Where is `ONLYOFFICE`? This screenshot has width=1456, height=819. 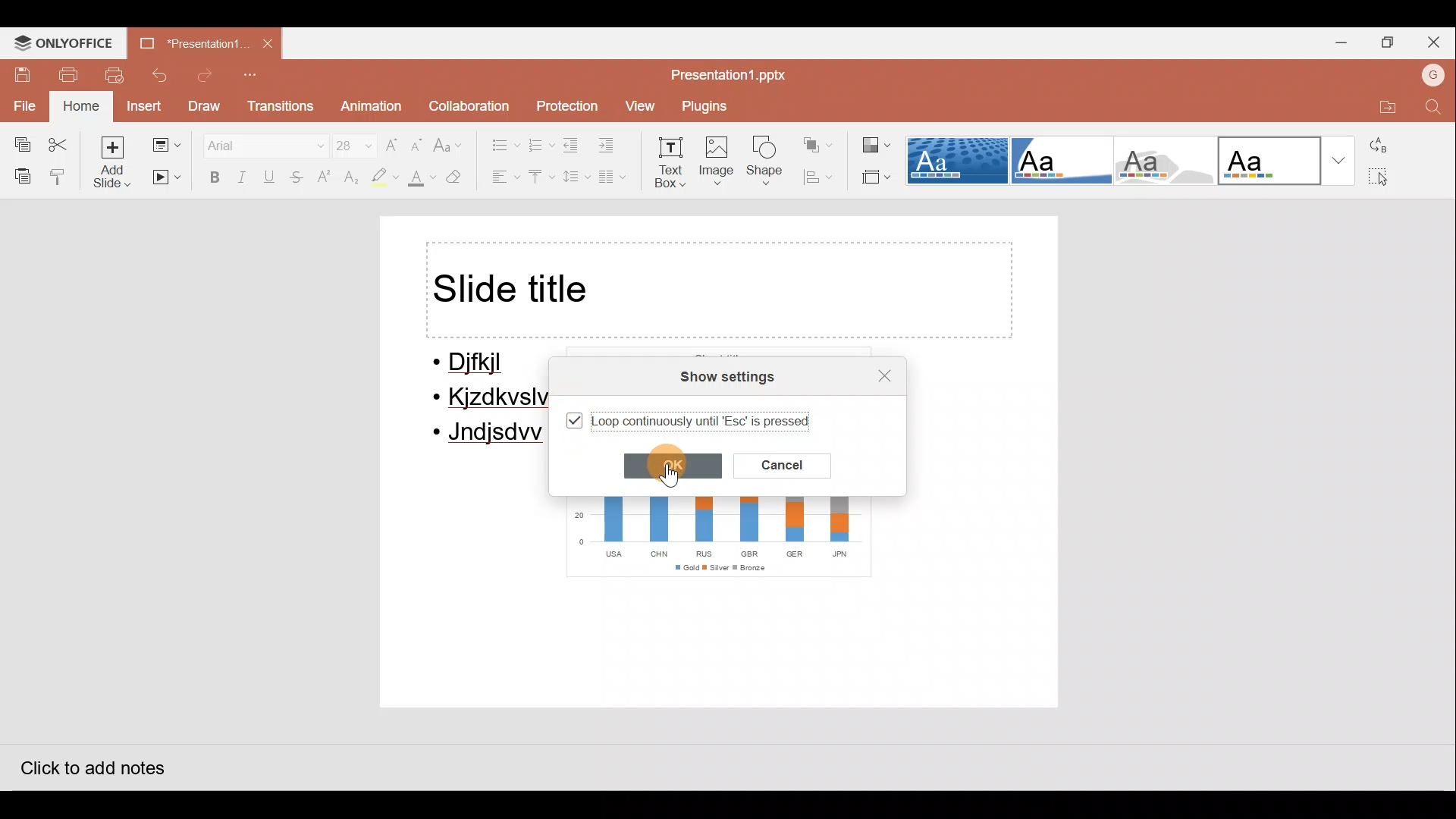
ONLYOFFICE is located at coordinates (60, 42).